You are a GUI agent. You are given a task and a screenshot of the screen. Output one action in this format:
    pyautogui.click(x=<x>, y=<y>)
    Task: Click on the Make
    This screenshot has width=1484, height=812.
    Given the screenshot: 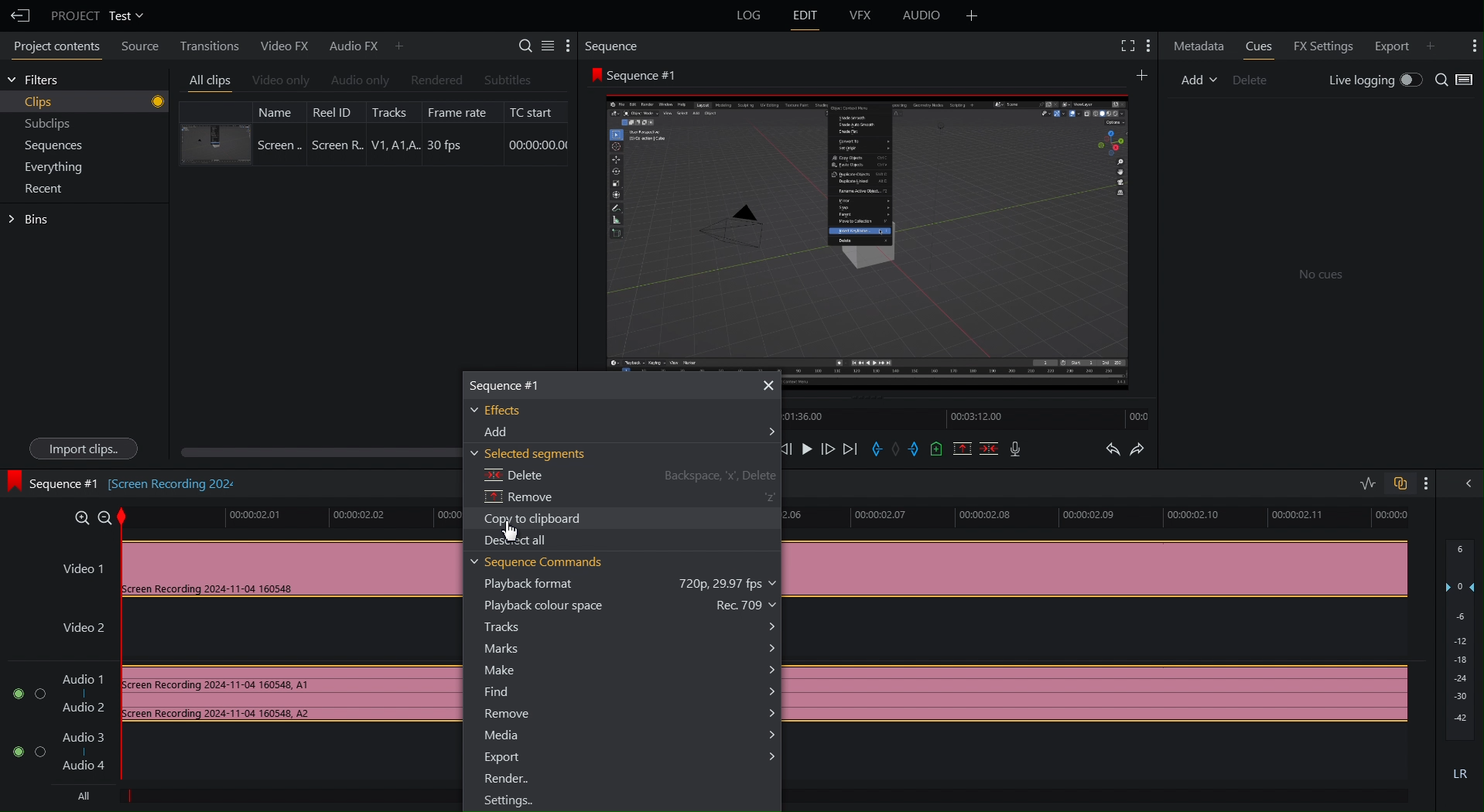 What is the action you would take?
    pyautogui.click(x=628, y=670)
    